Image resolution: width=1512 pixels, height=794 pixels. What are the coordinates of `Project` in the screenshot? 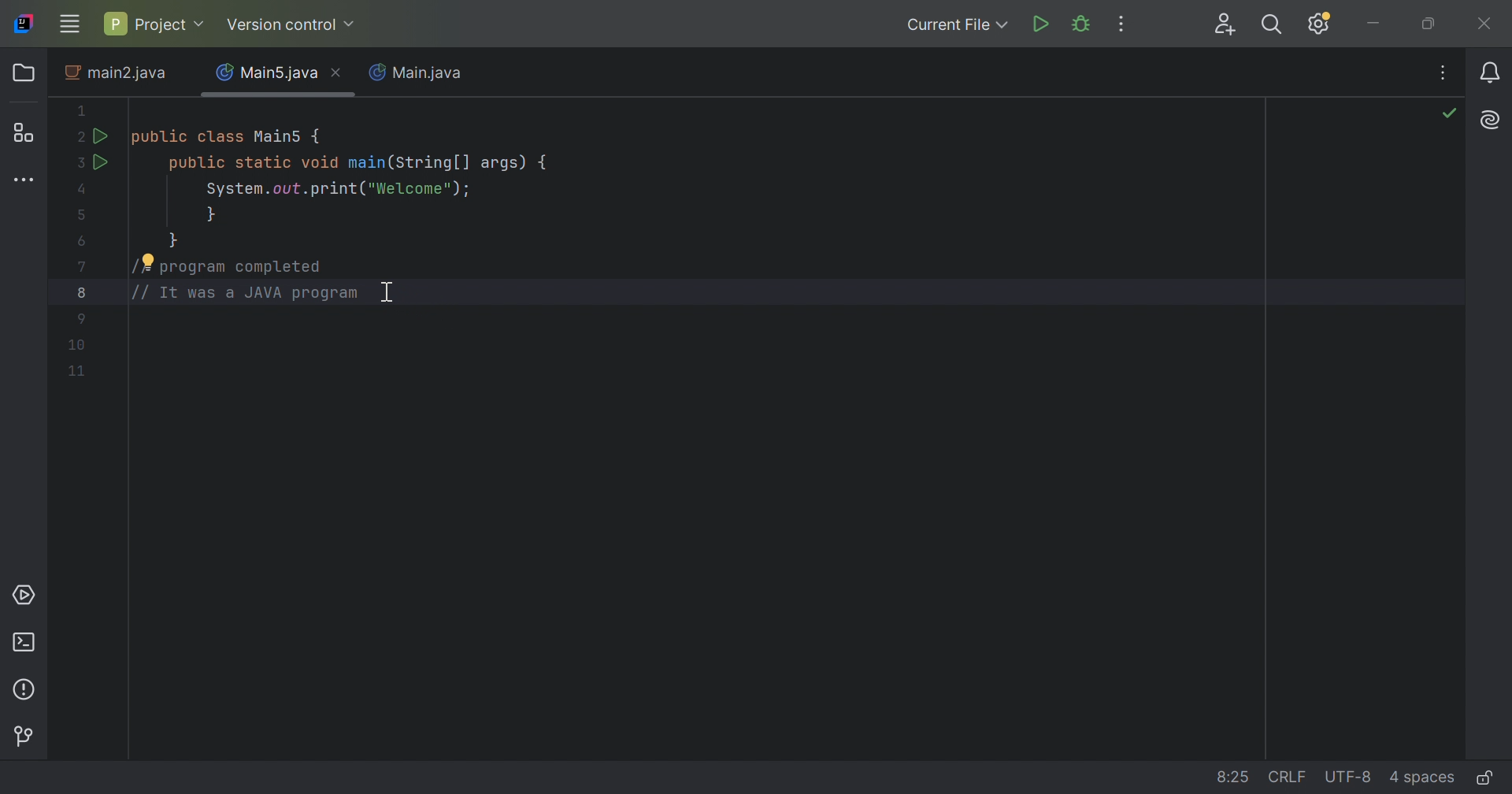 It's located at (156, 21).